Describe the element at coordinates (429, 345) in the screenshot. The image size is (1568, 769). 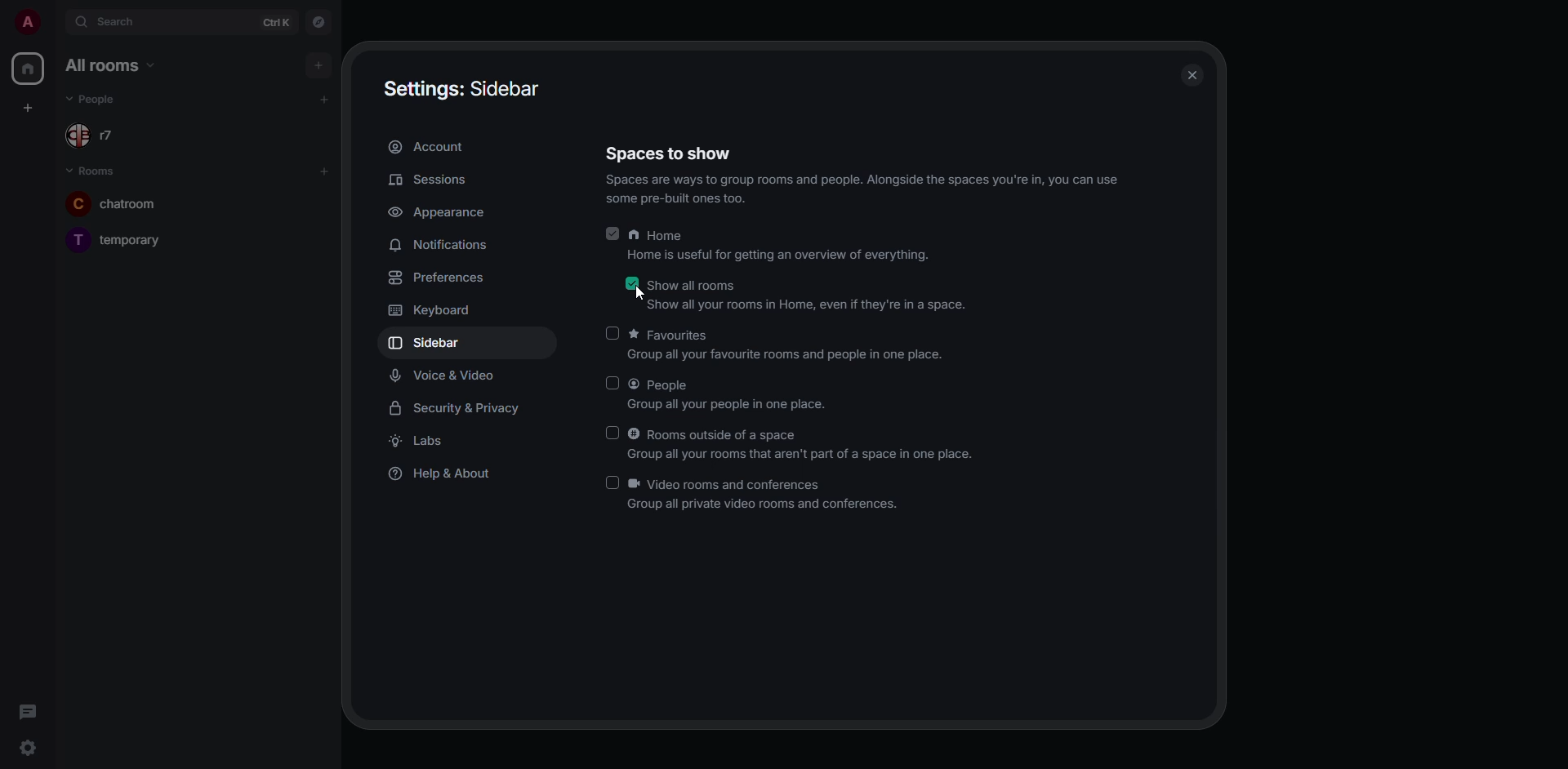
I see `sidebar` at that location.